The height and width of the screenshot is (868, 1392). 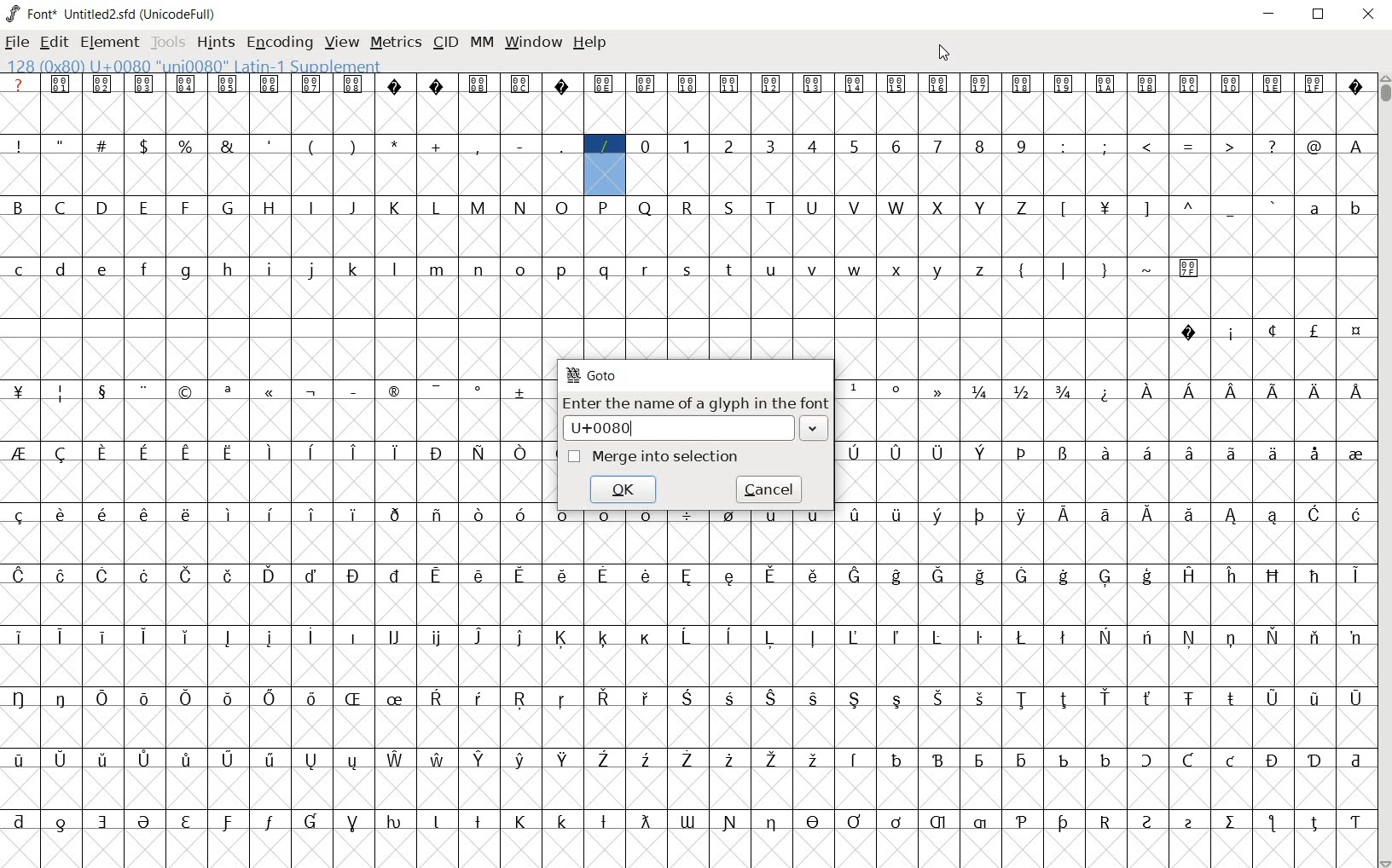 I want to click on glyph, so click(x=103, y=393).